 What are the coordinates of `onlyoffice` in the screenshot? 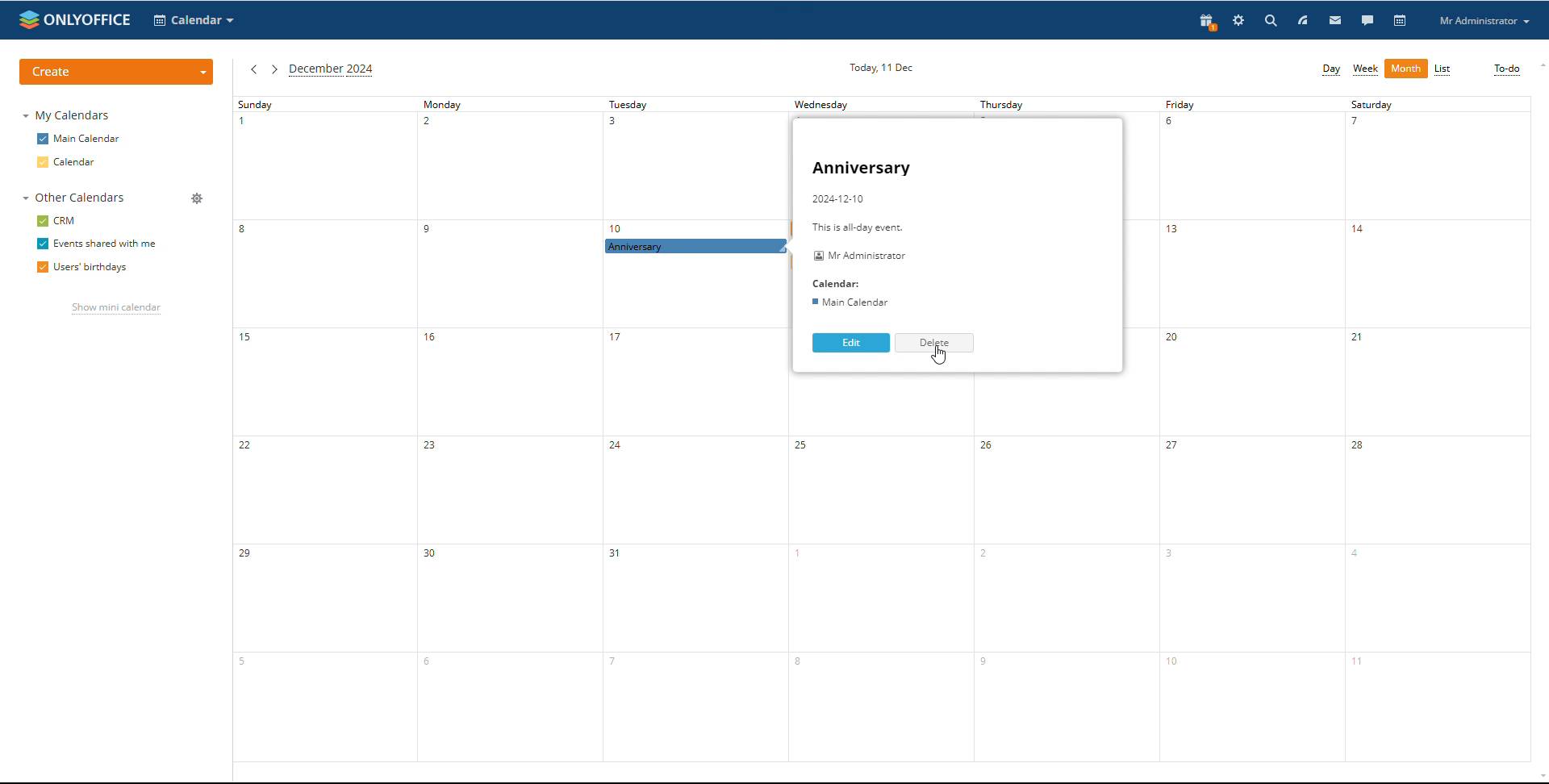 It's located at (91, 21).